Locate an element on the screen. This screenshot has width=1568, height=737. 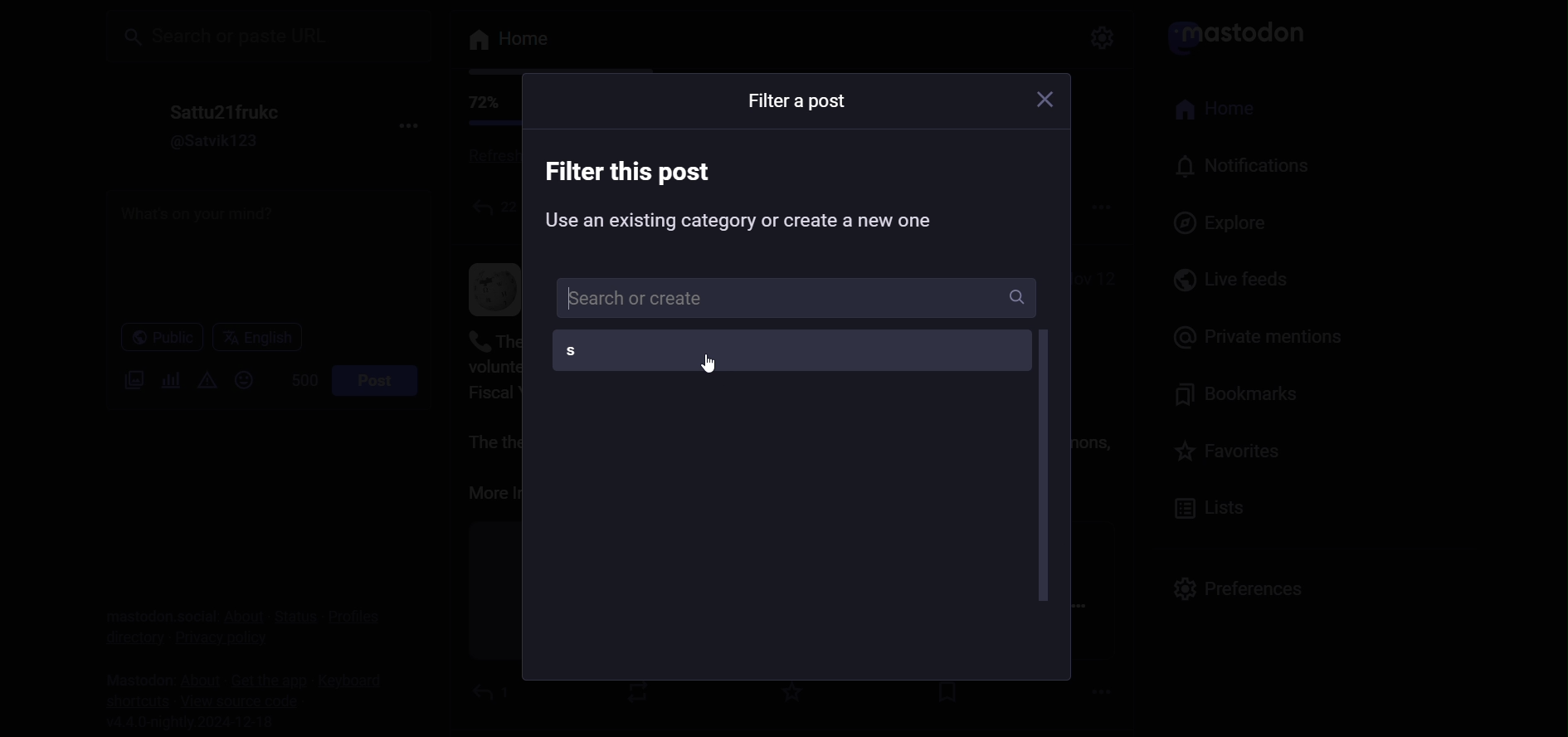
preferences is located at coordinates (1237, 586).